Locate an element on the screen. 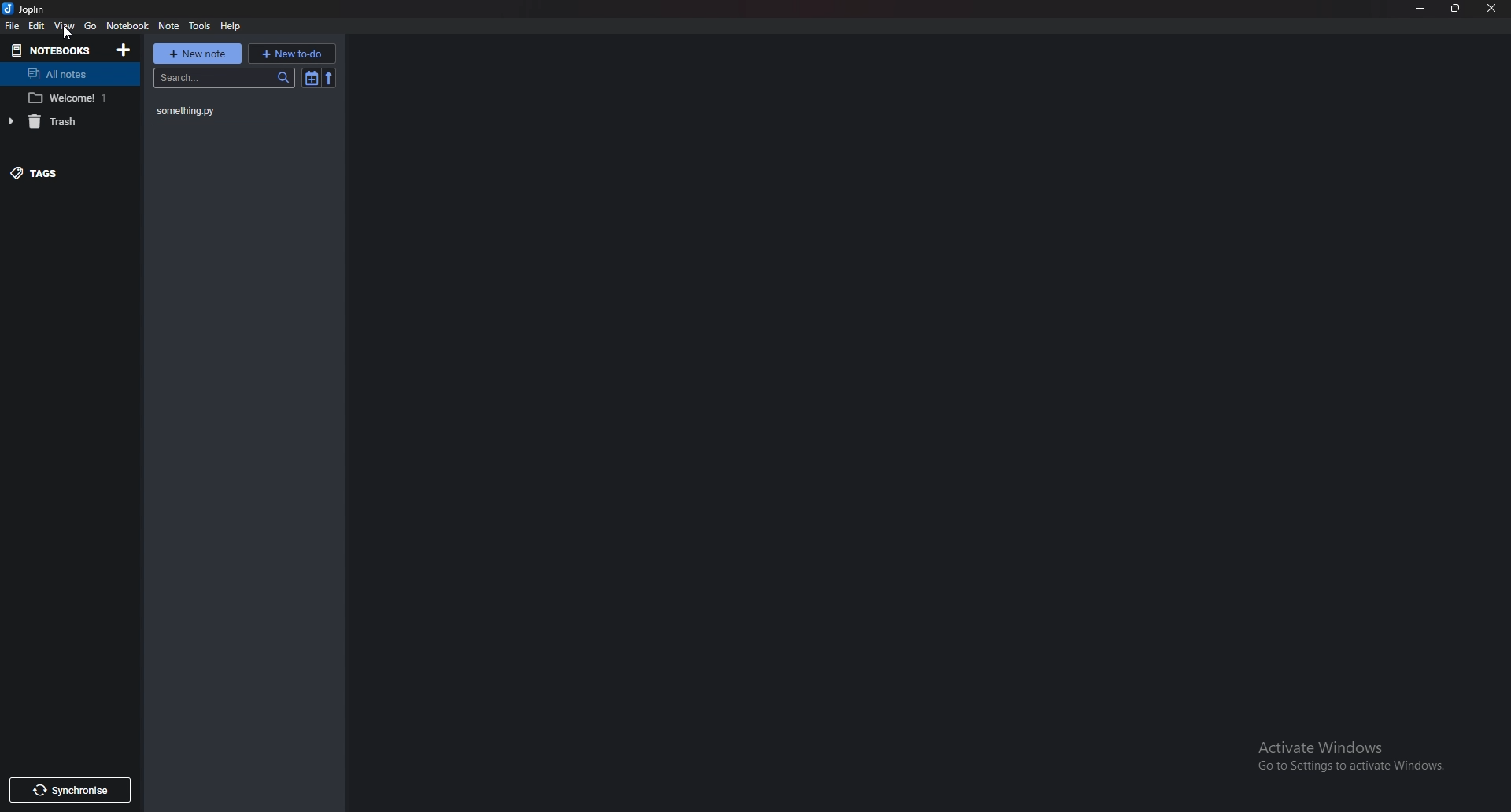 This screenshot has width=1511, height=812. Close is located at coordinates (1490, 8).